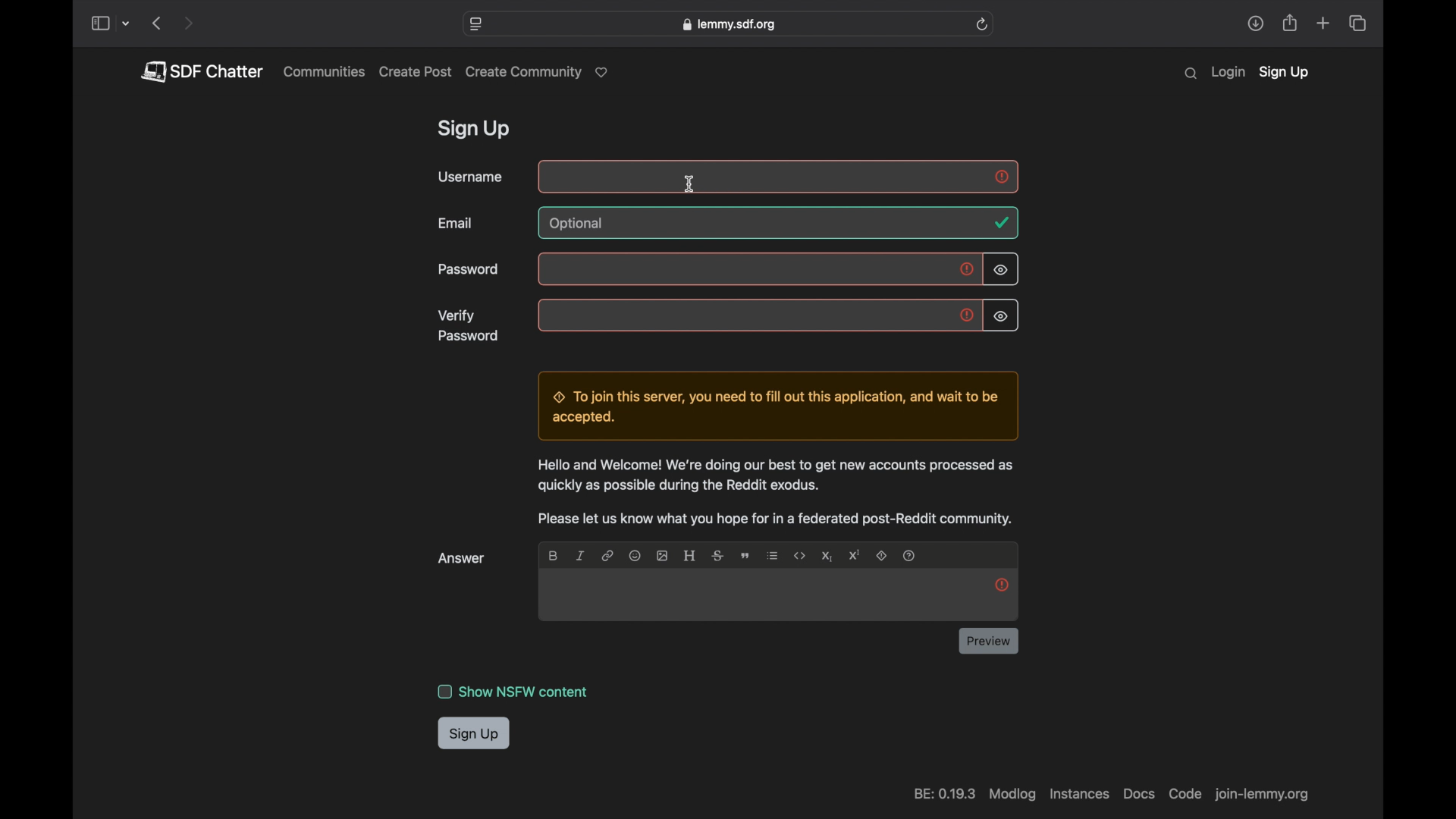 This screenshot has width=1456, height=819. Describe the element at coordinates (469, 325) in the screenshot. I see `verify password` at that location.